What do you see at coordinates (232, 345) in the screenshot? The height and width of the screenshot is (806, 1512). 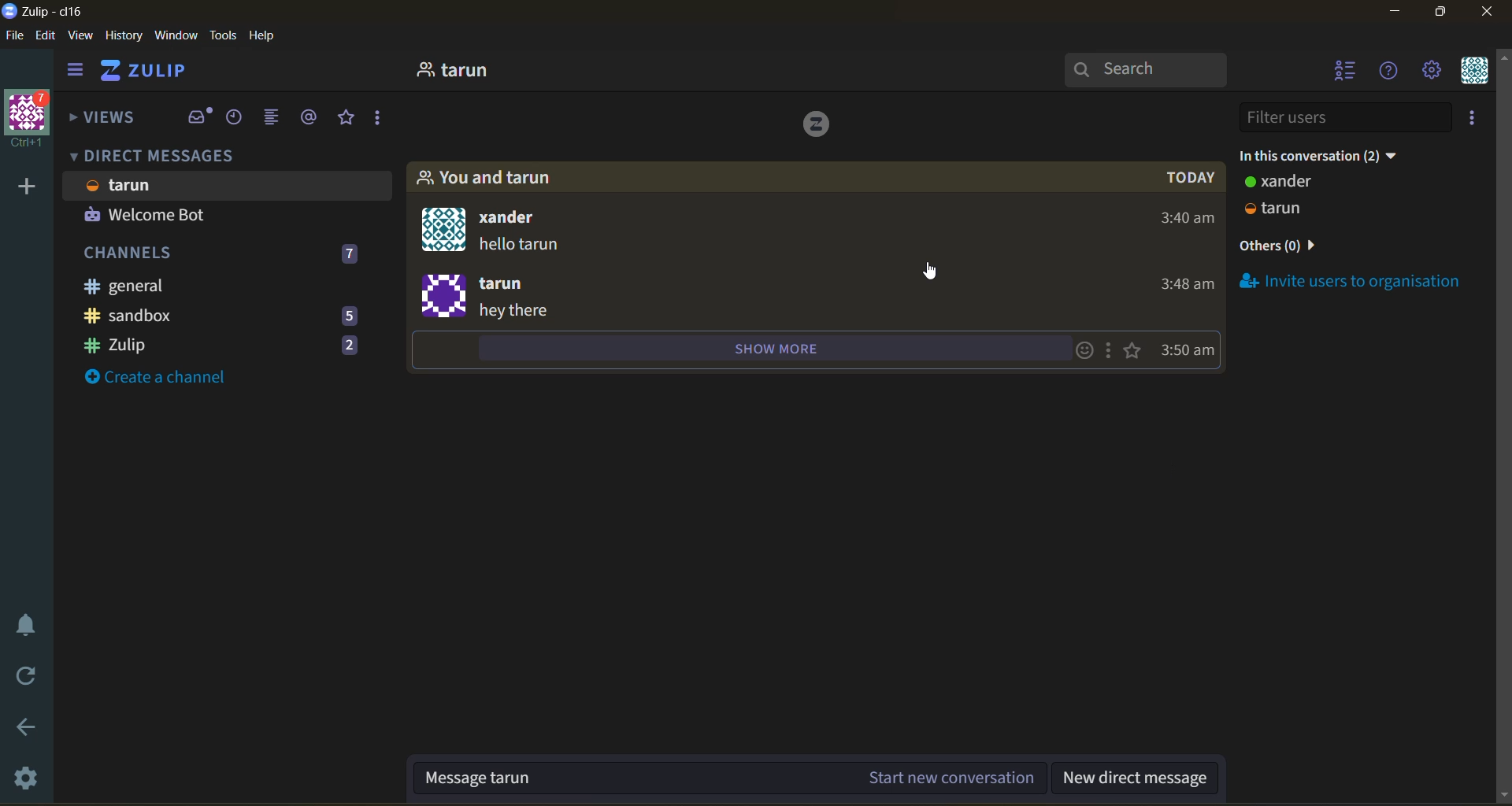 I see `zulip` at bounding box center [232, 345].